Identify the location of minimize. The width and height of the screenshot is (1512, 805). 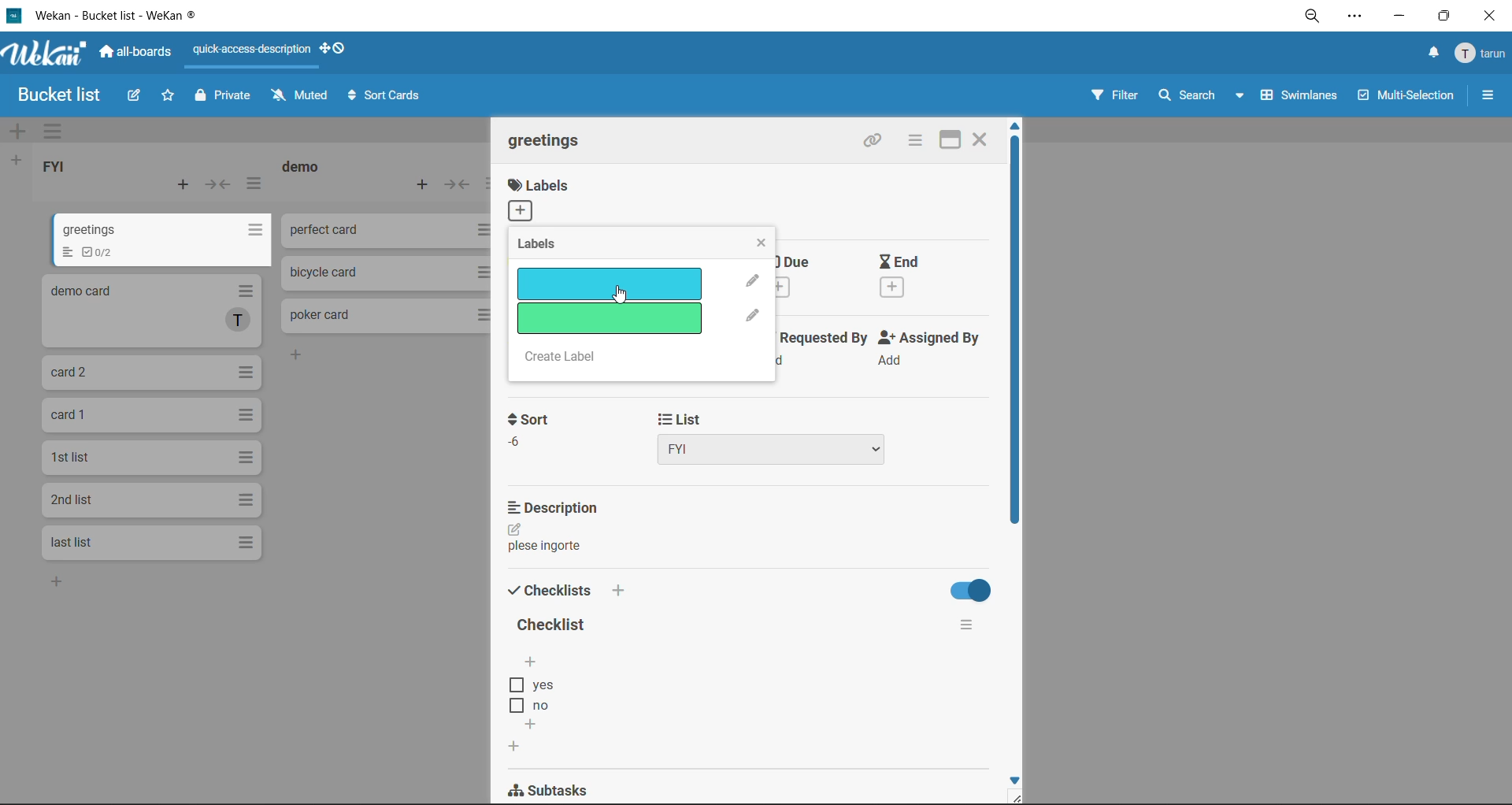
(1402, 18).